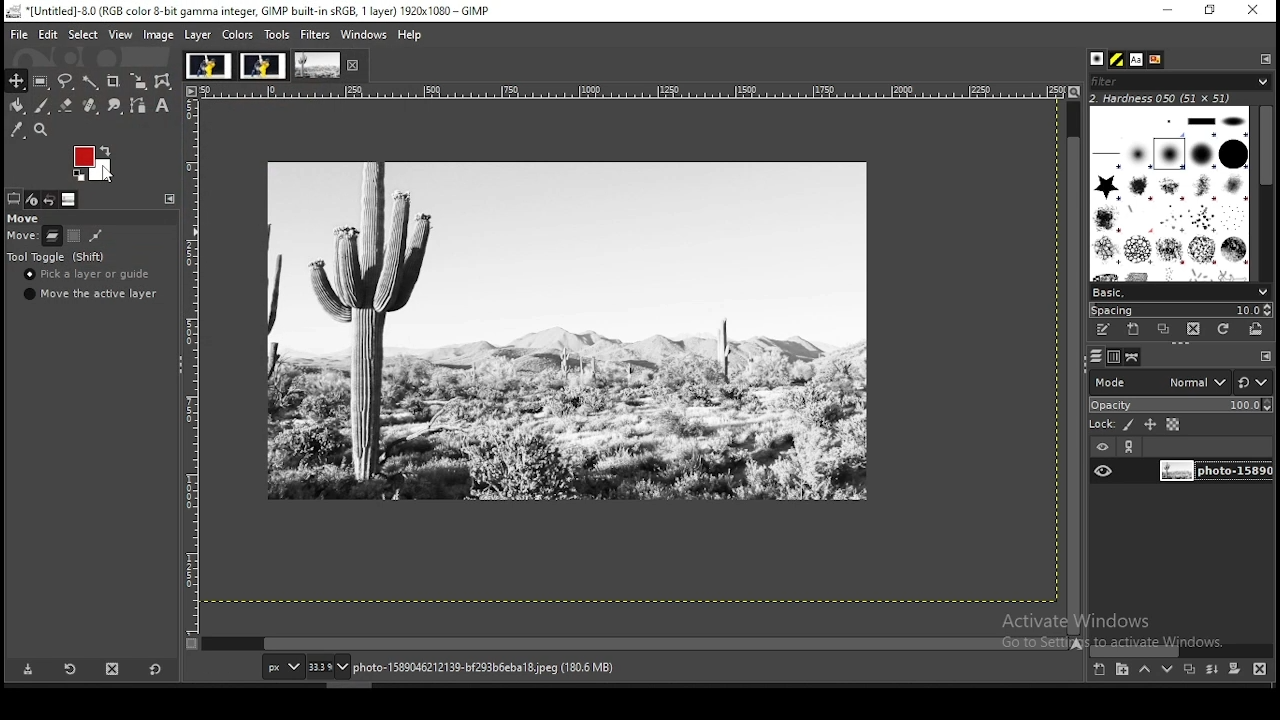  Describe the element at coordinates (1156, 60) in the screenshot. I see `document history` at that location.